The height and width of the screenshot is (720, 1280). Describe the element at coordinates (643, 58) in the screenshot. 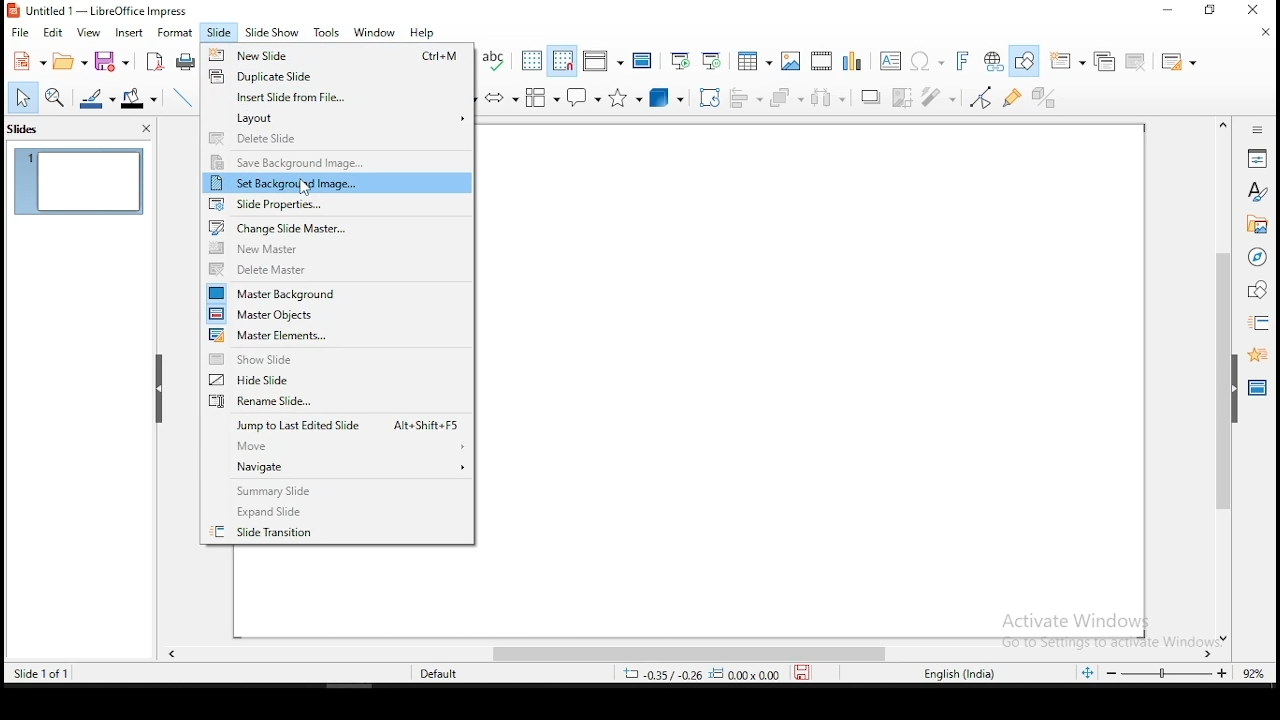

I see `master slide` at that location.